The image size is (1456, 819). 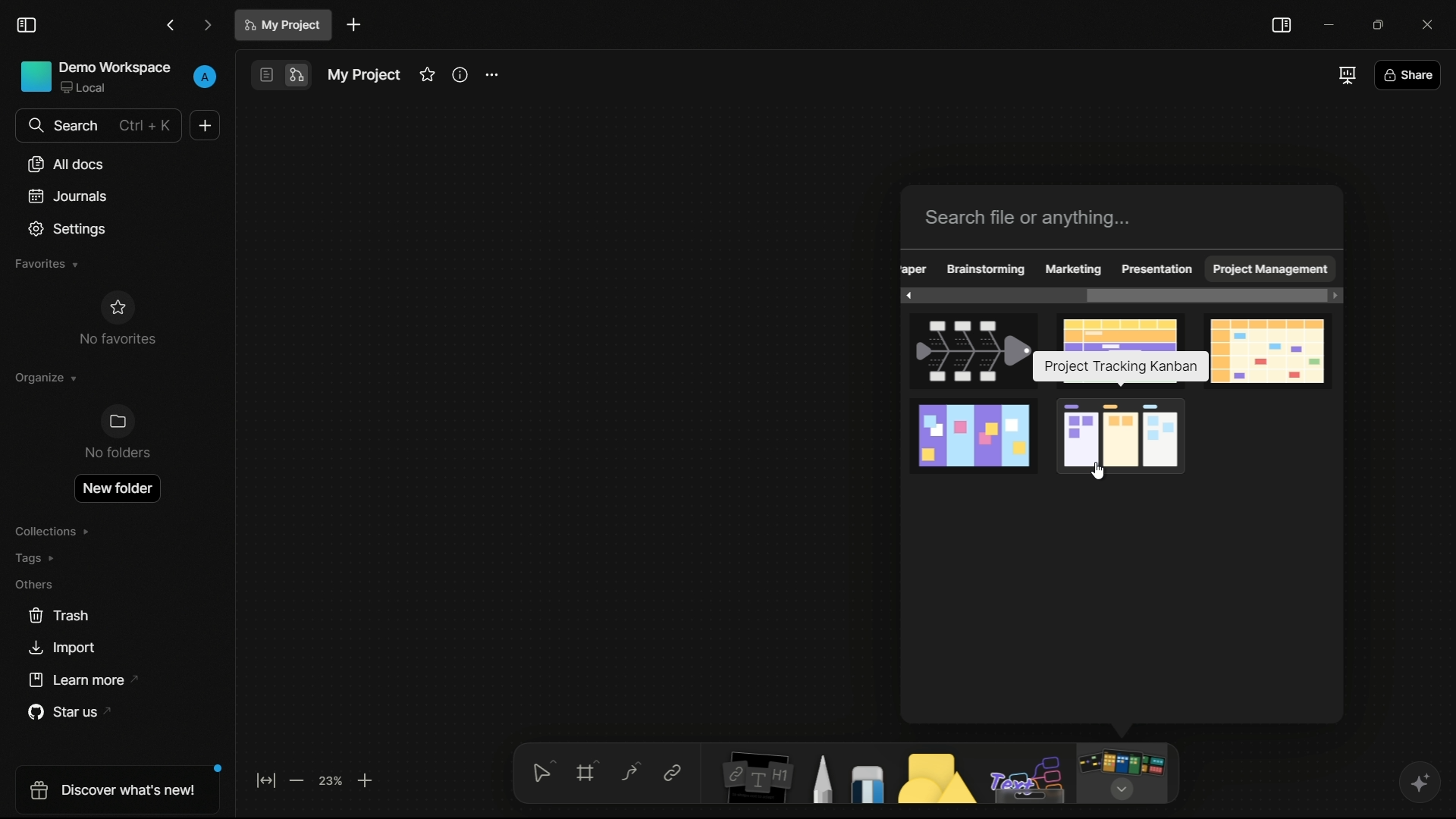 I want to click on page mode, so click(x=265, y=75).